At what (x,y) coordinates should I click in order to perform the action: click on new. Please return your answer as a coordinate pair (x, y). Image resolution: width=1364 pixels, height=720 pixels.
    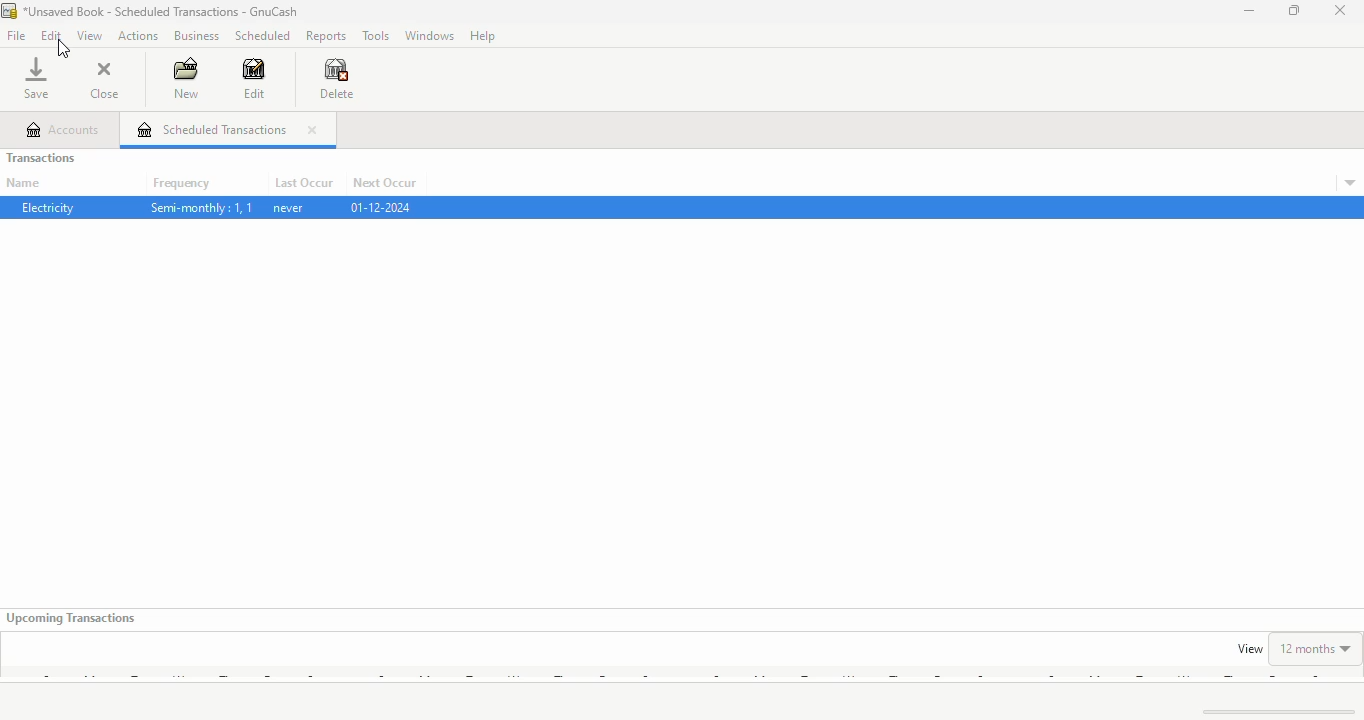
    Looking at the image, I should click on (187, 78).